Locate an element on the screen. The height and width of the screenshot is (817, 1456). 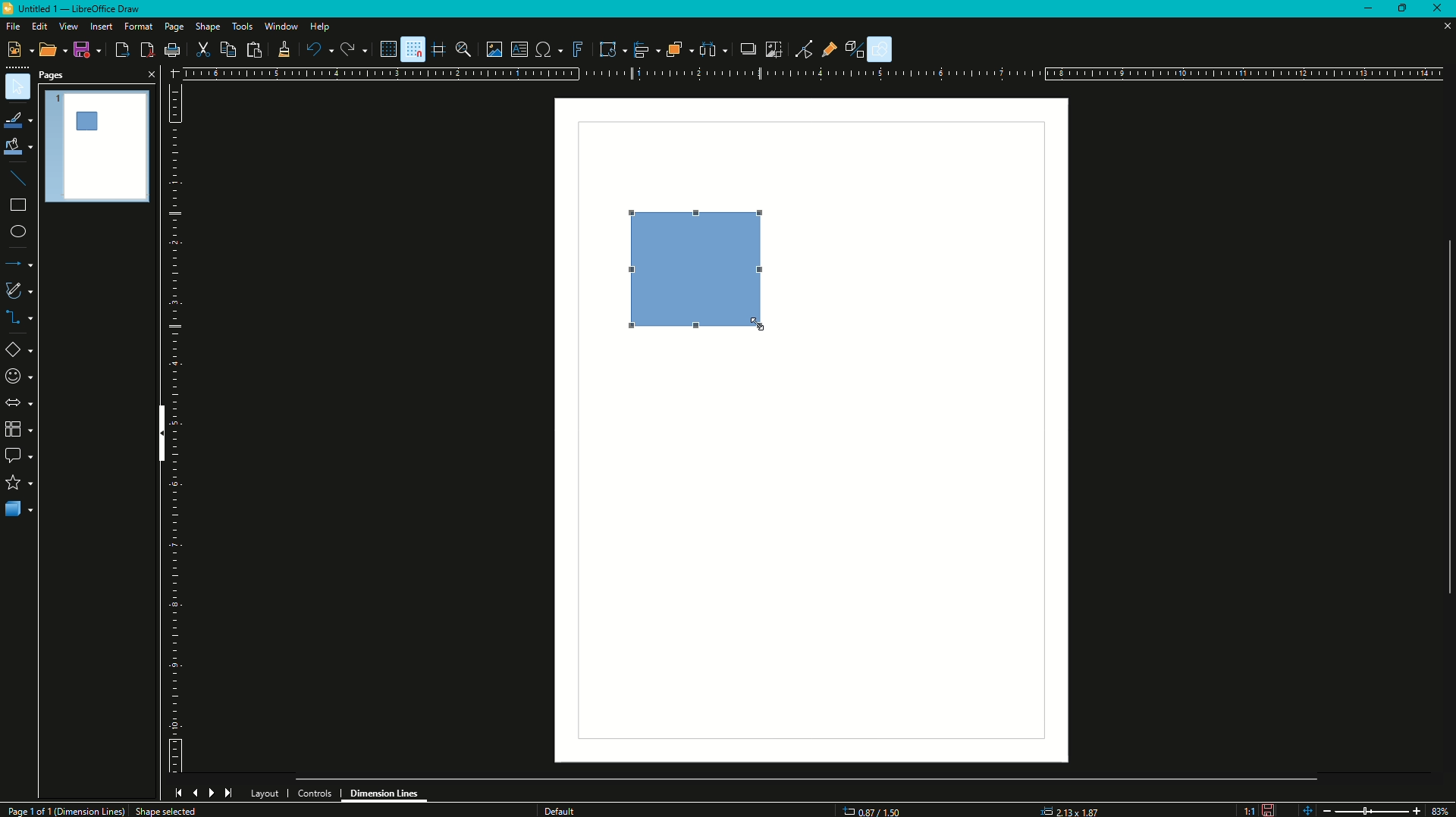
Sketch is located at coordinates (20, 290).